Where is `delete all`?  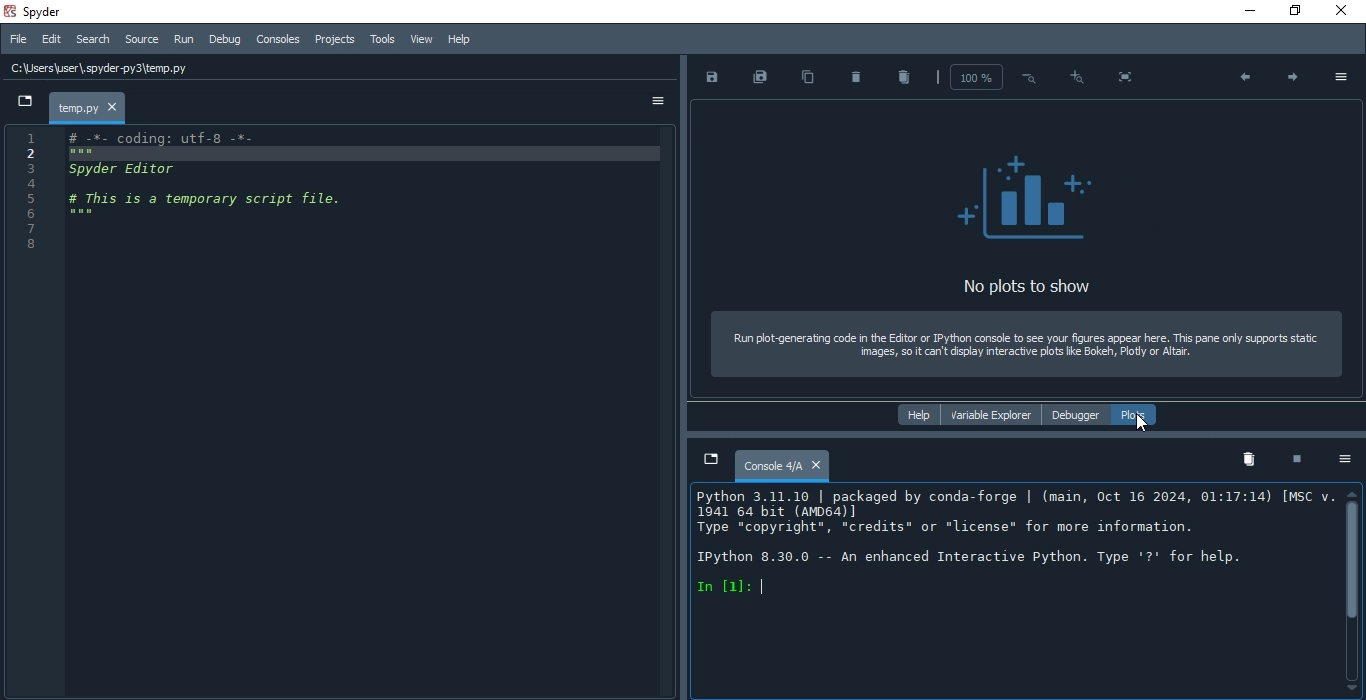
delete all is located at coordinates (1247, 459).